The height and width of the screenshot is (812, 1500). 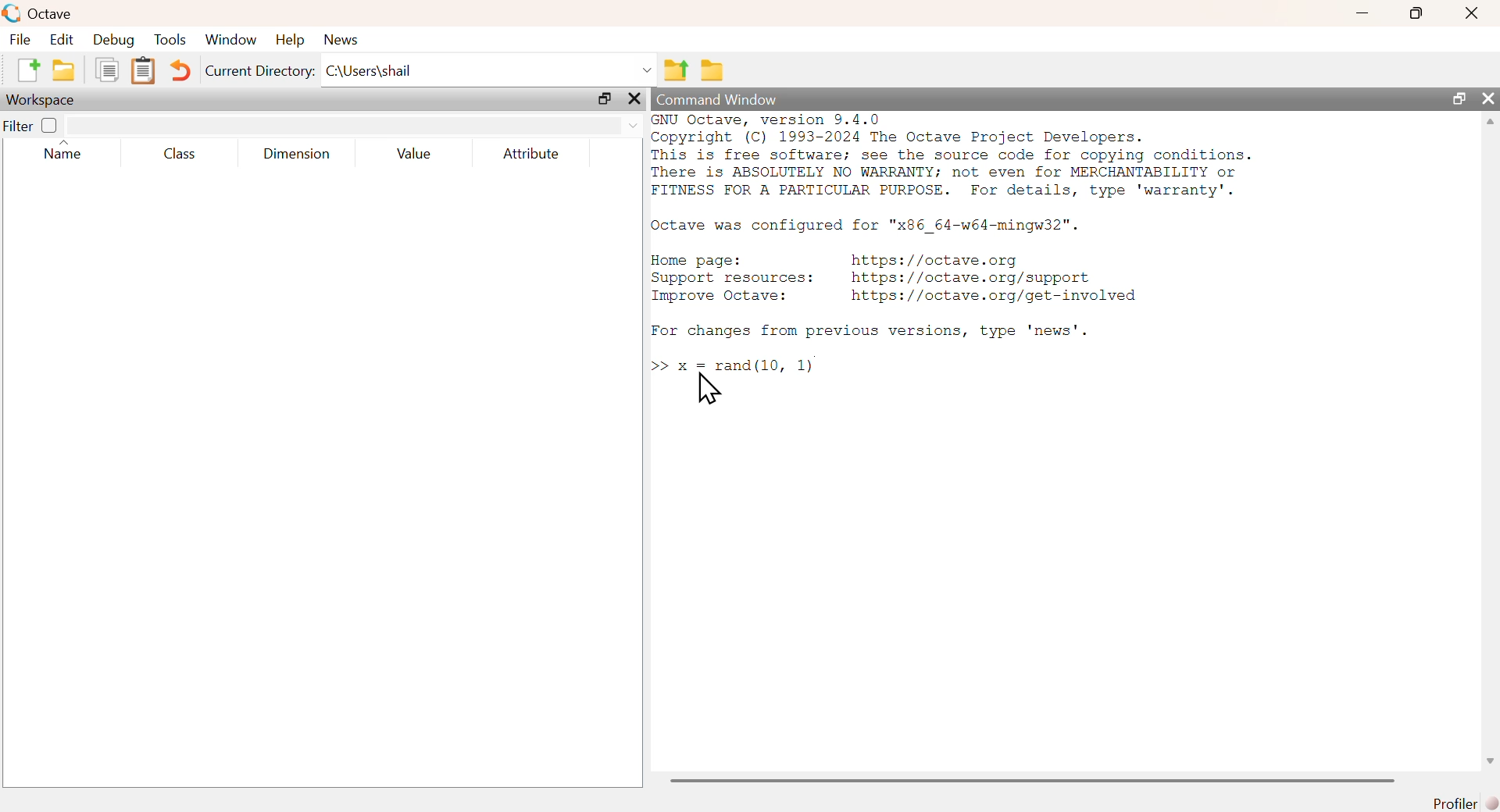 I want to click on name, so click(x=62, y=150).